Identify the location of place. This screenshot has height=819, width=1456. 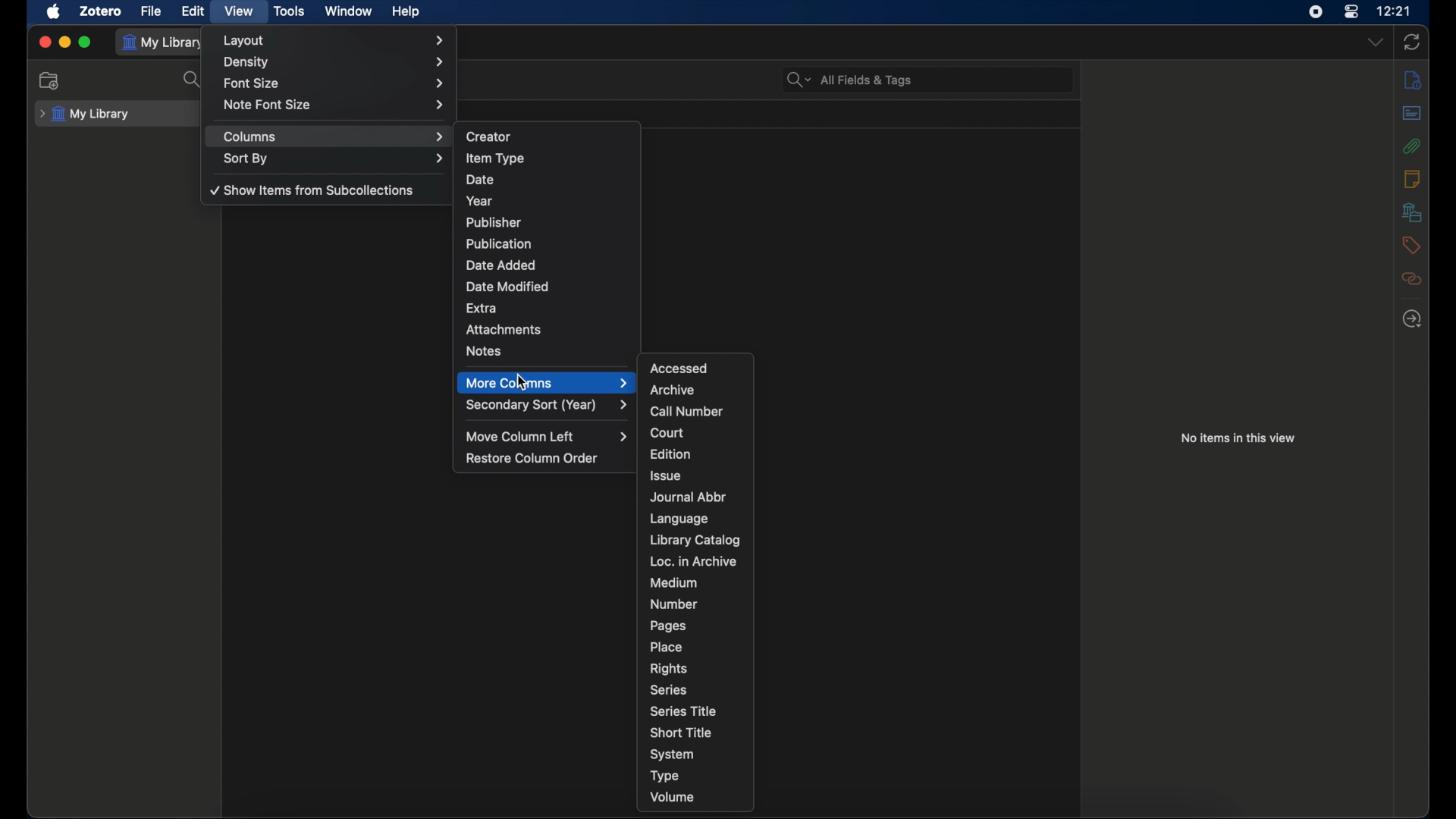
(666, 647).